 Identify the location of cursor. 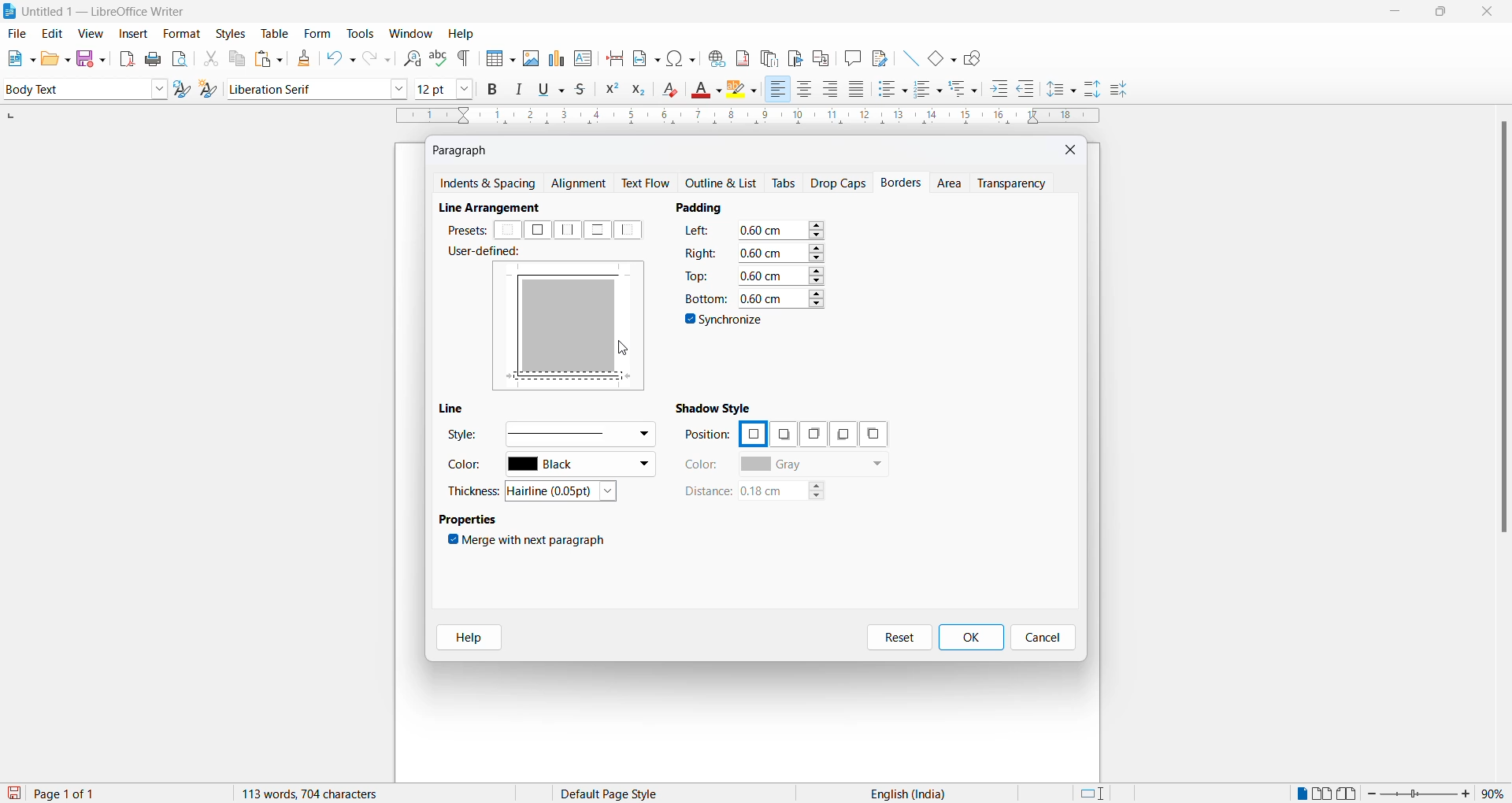
(624, 352).